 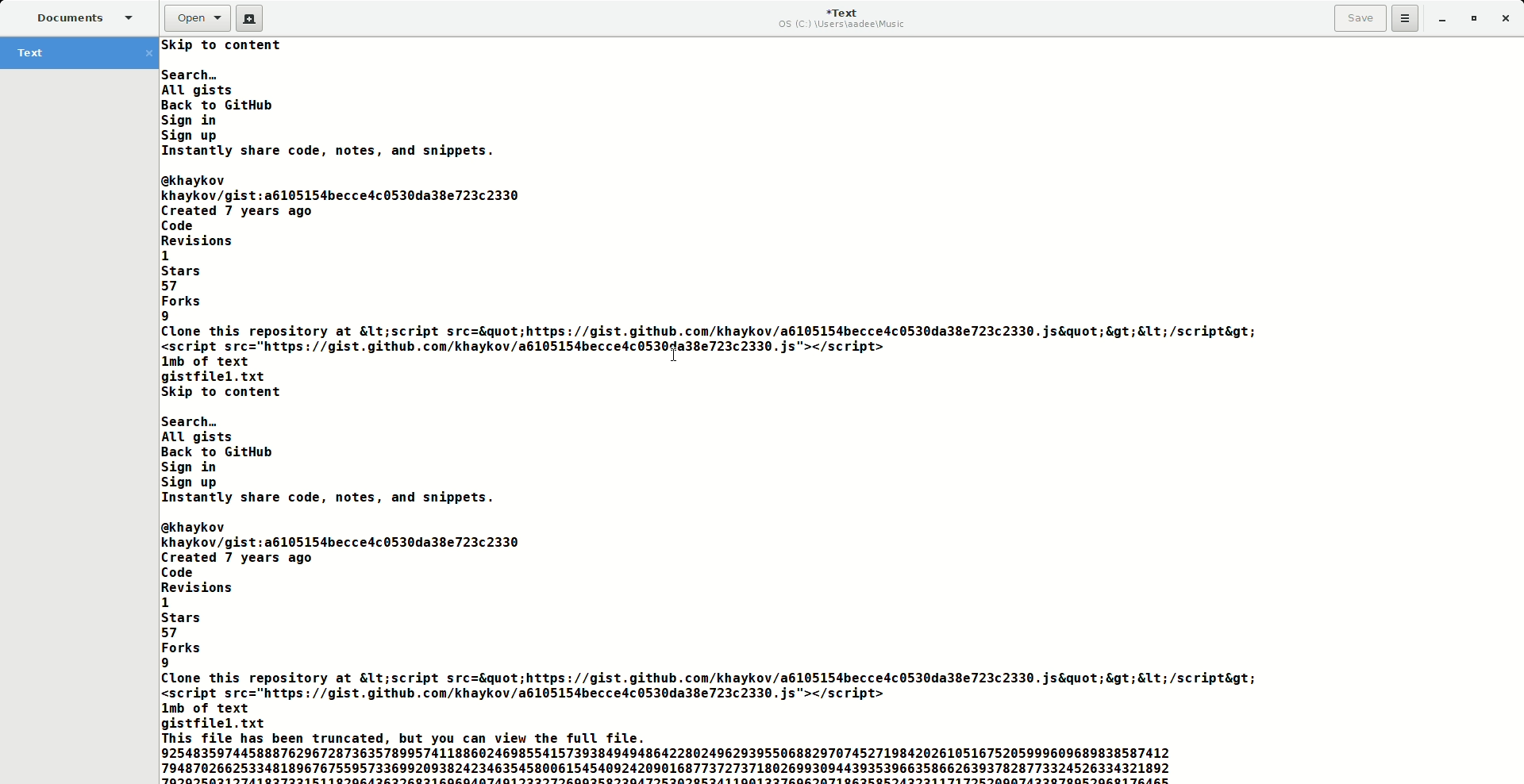 What do you see at coordinates (676, 356) in the screenshot?
I see `cursor` at bounding box center [676, 356].